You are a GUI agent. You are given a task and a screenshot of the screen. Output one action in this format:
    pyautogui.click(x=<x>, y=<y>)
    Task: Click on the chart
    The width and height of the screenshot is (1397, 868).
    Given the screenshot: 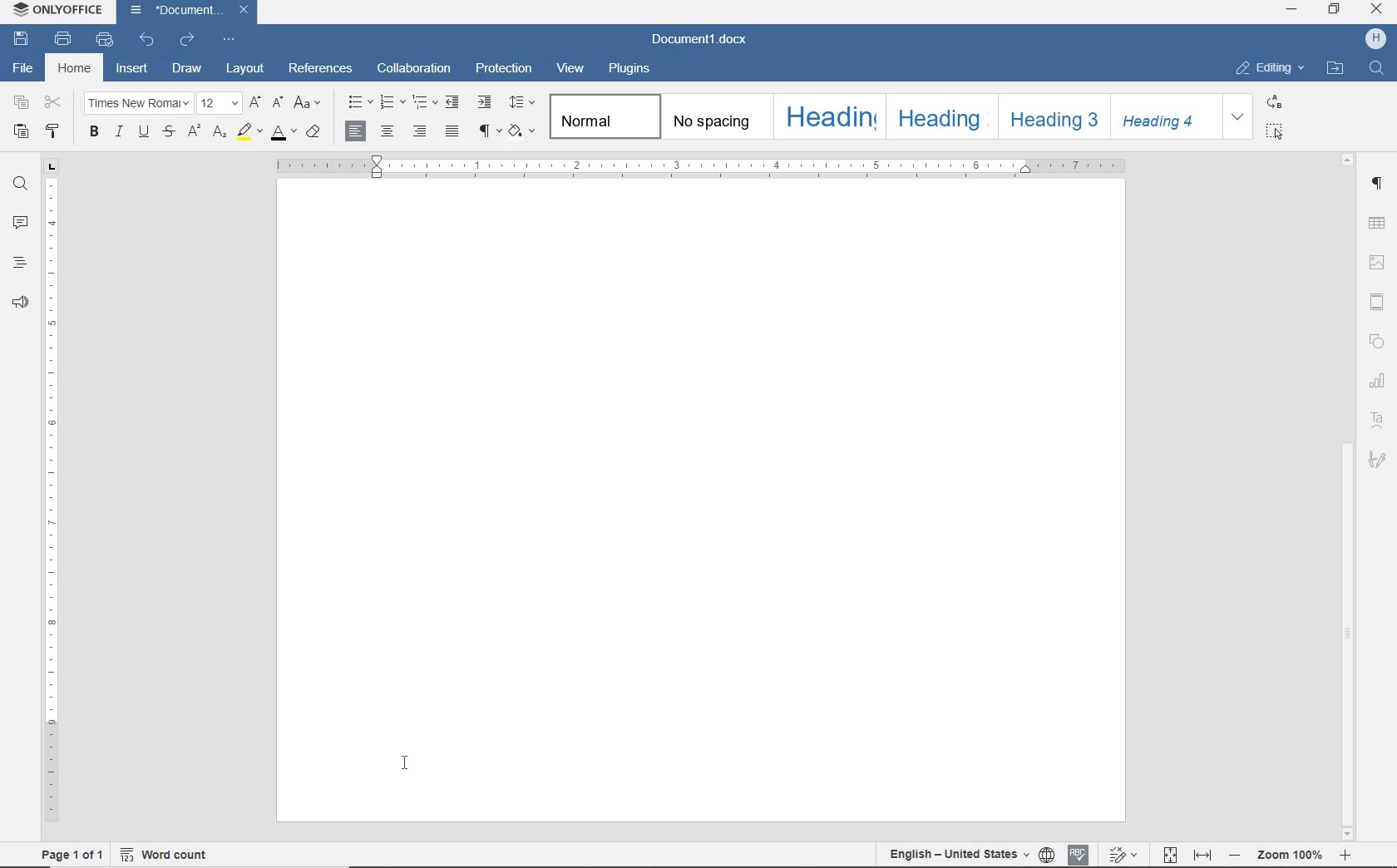 What is the action you would take?
    pyautogui.click(x=1378, y=382)
    